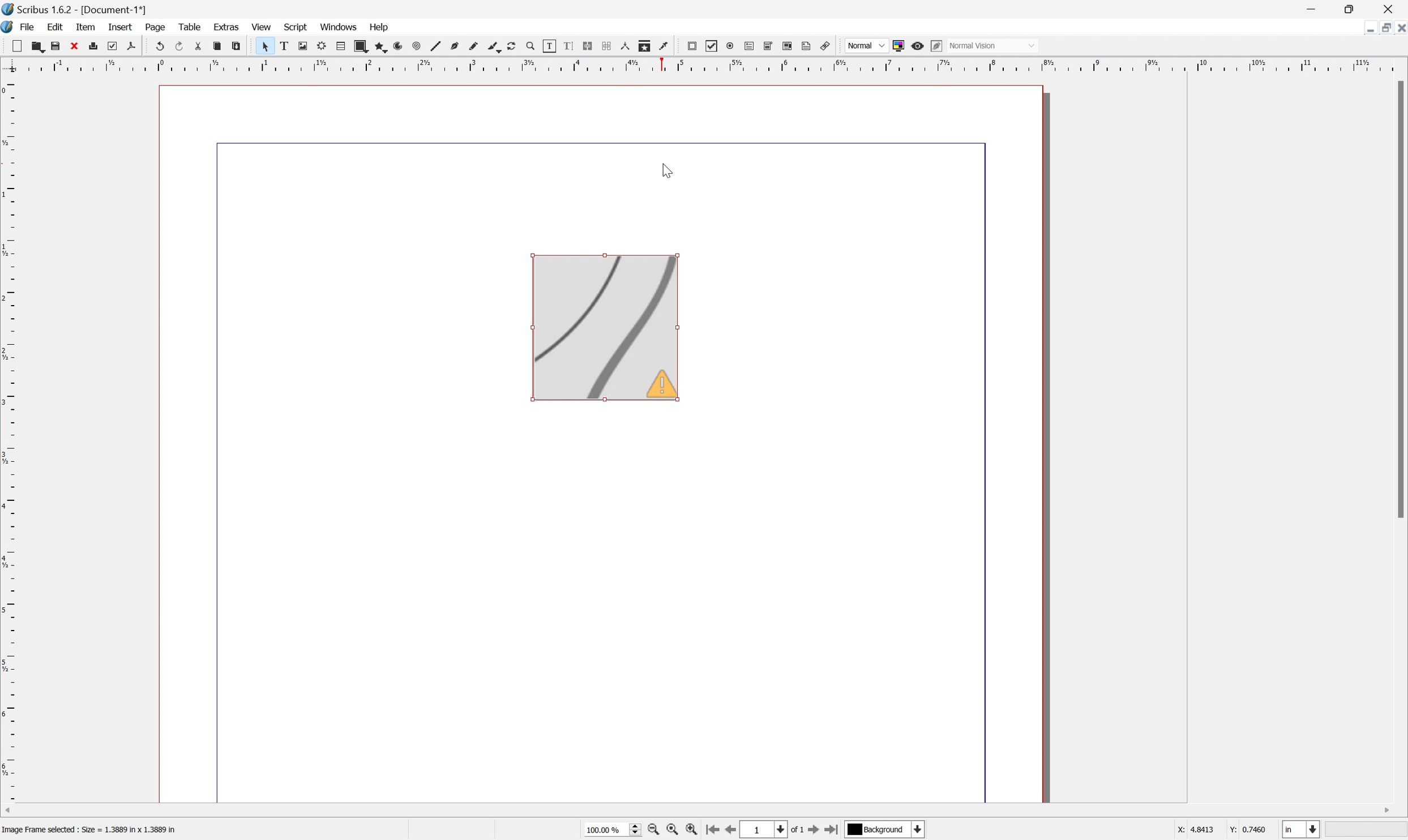 The image size is (1408, 840). Describe the element at coordinates (439, 47) in the screenshot. I see `Line` at that location.